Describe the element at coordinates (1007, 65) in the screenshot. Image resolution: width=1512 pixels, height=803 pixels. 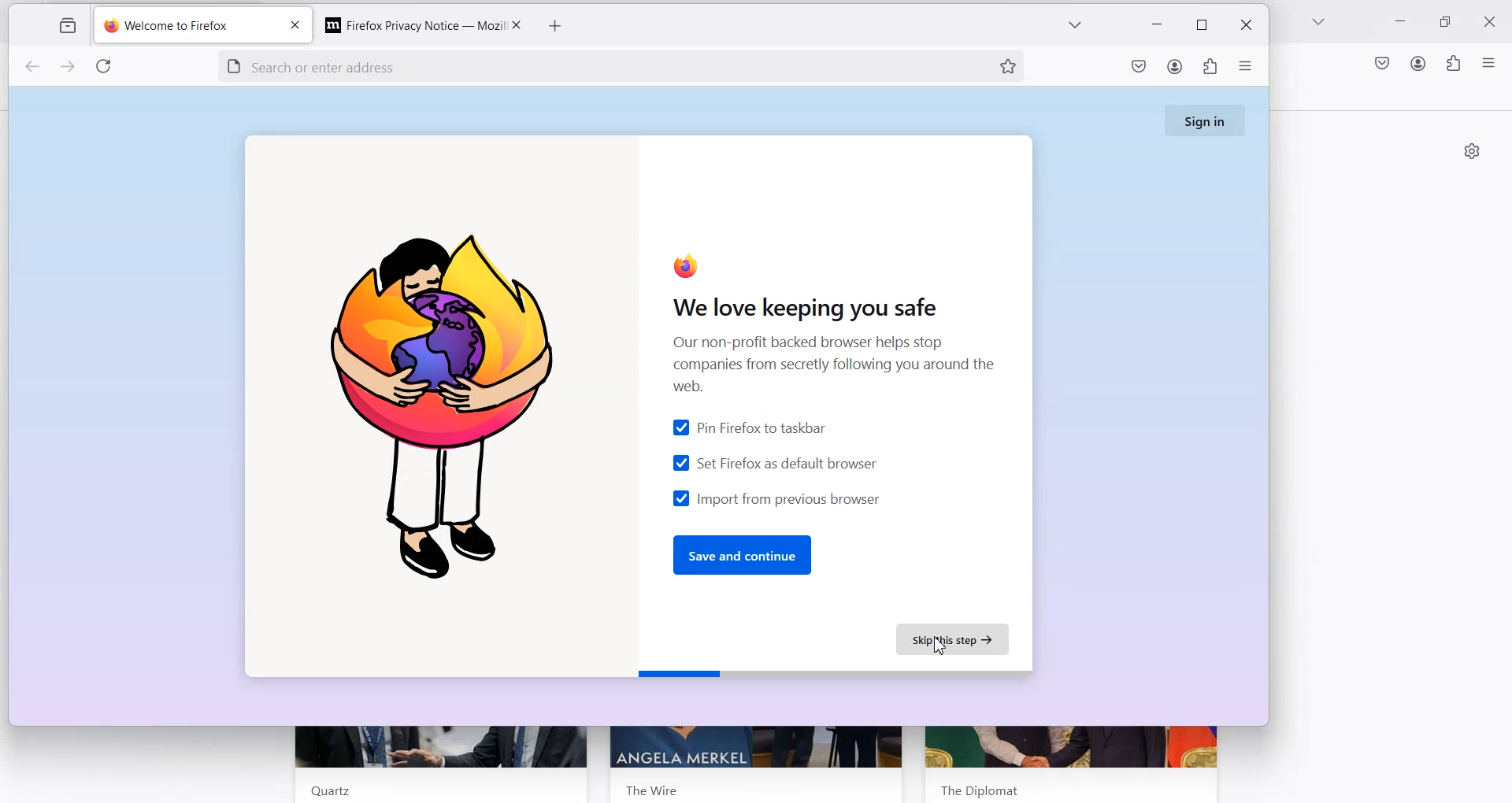
I see `Bookmark this page` at that location.